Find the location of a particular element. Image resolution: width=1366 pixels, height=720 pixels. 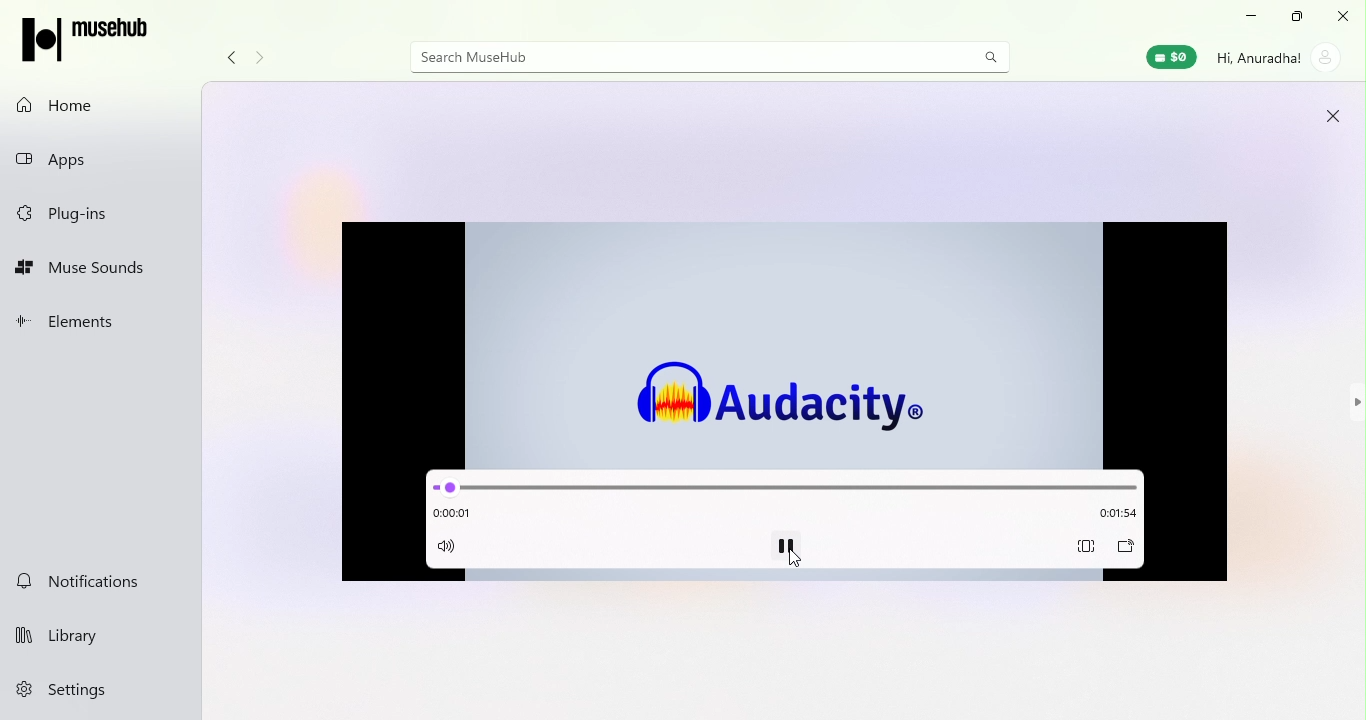

Time is located at coordinates (457, 513).